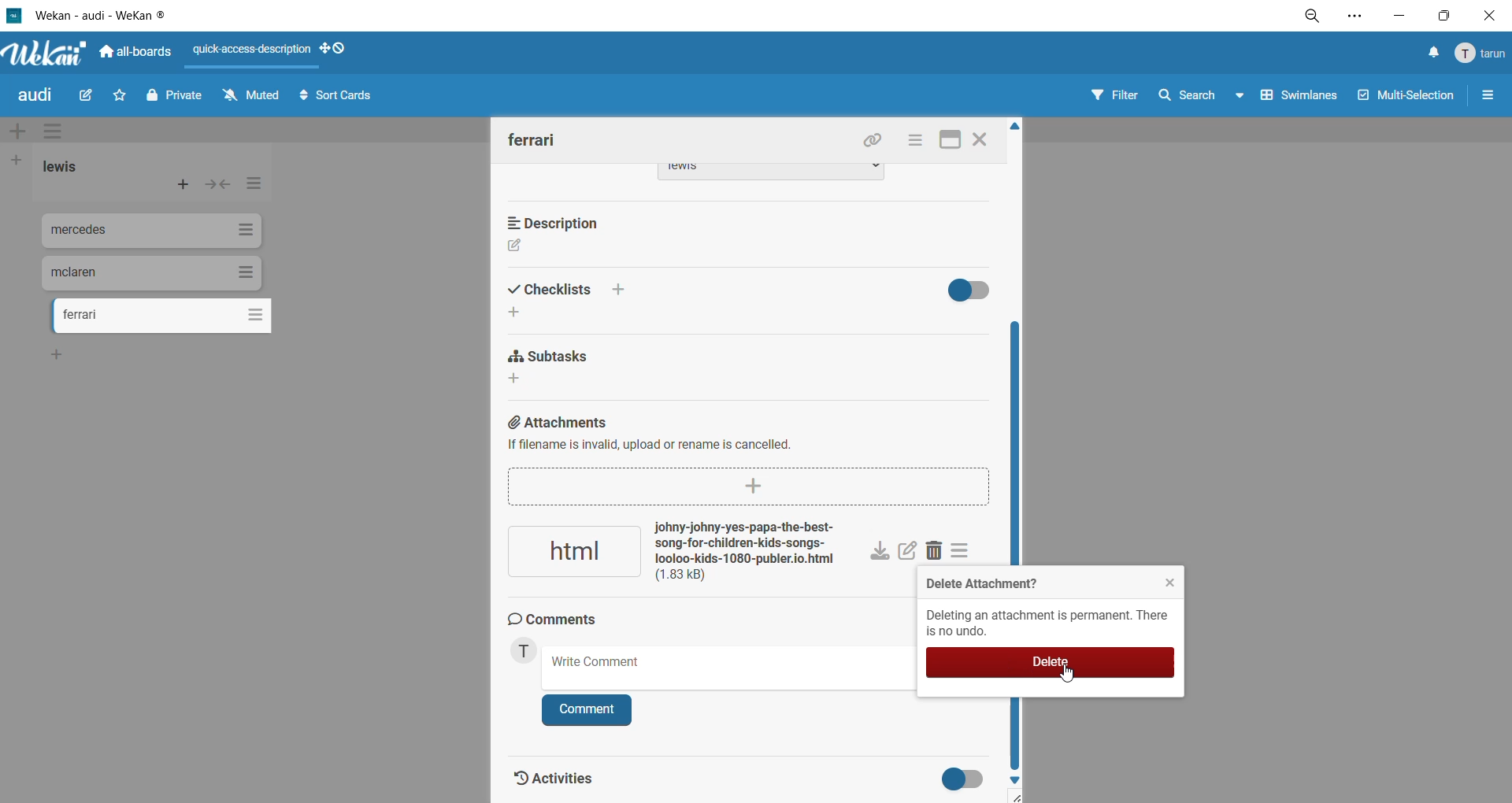  I want to click on sort cards, so click(343, 98).